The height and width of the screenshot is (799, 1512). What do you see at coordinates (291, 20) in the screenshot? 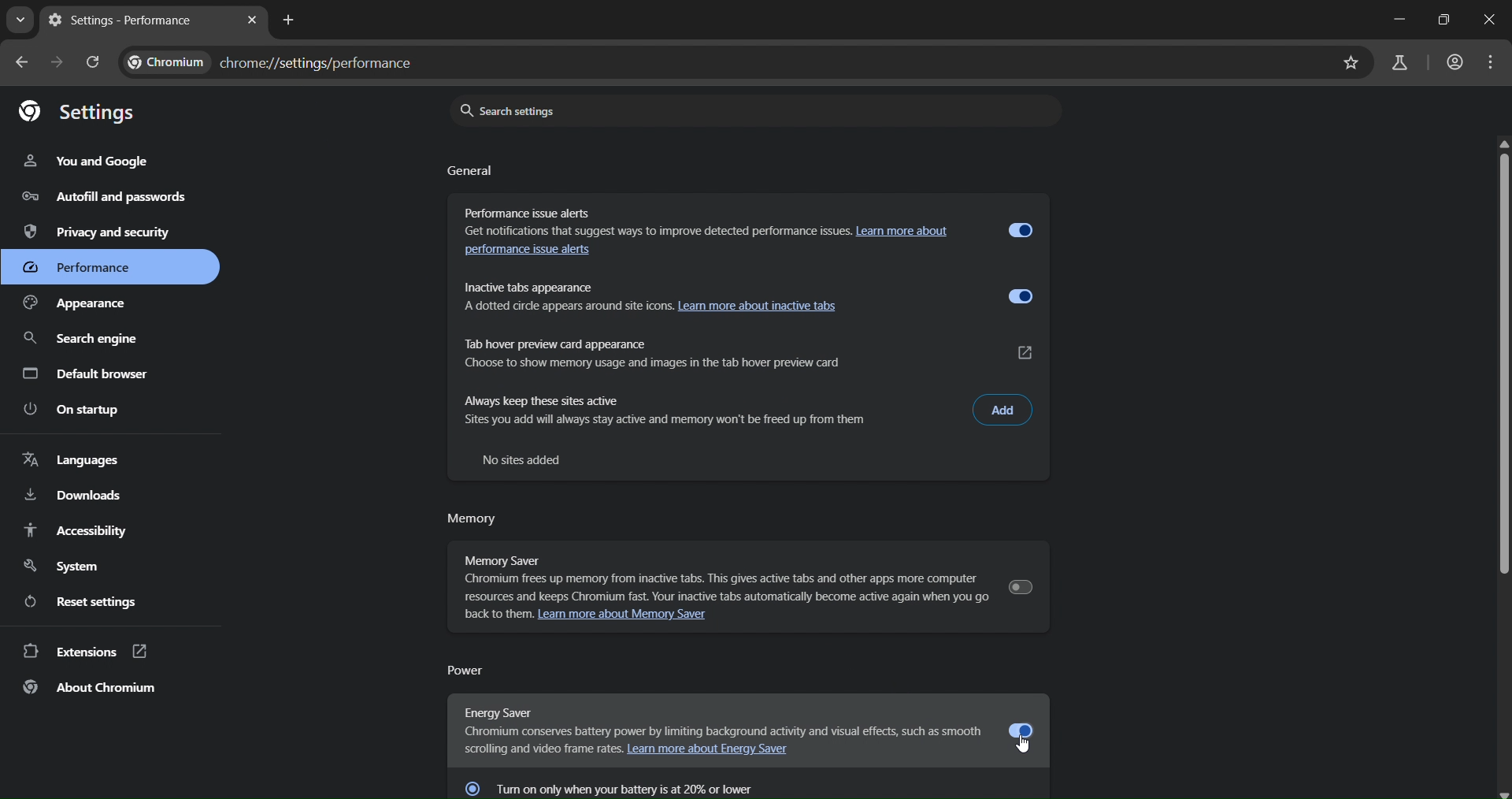
I see `new tab` at bounding box center [291, 20].